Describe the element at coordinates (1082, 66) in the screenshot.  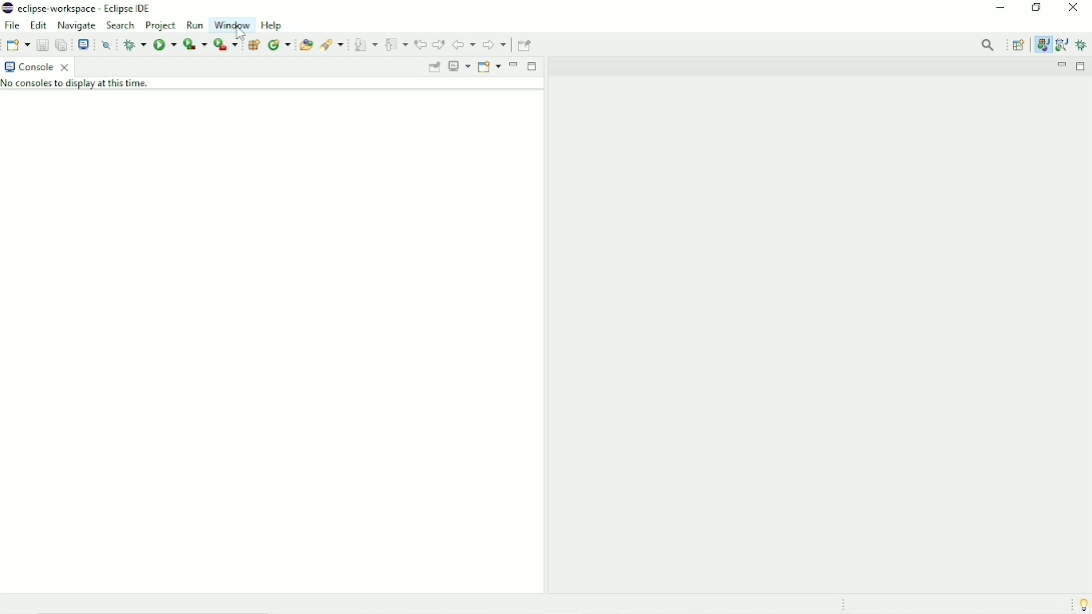
I see `Maximize` at that location.